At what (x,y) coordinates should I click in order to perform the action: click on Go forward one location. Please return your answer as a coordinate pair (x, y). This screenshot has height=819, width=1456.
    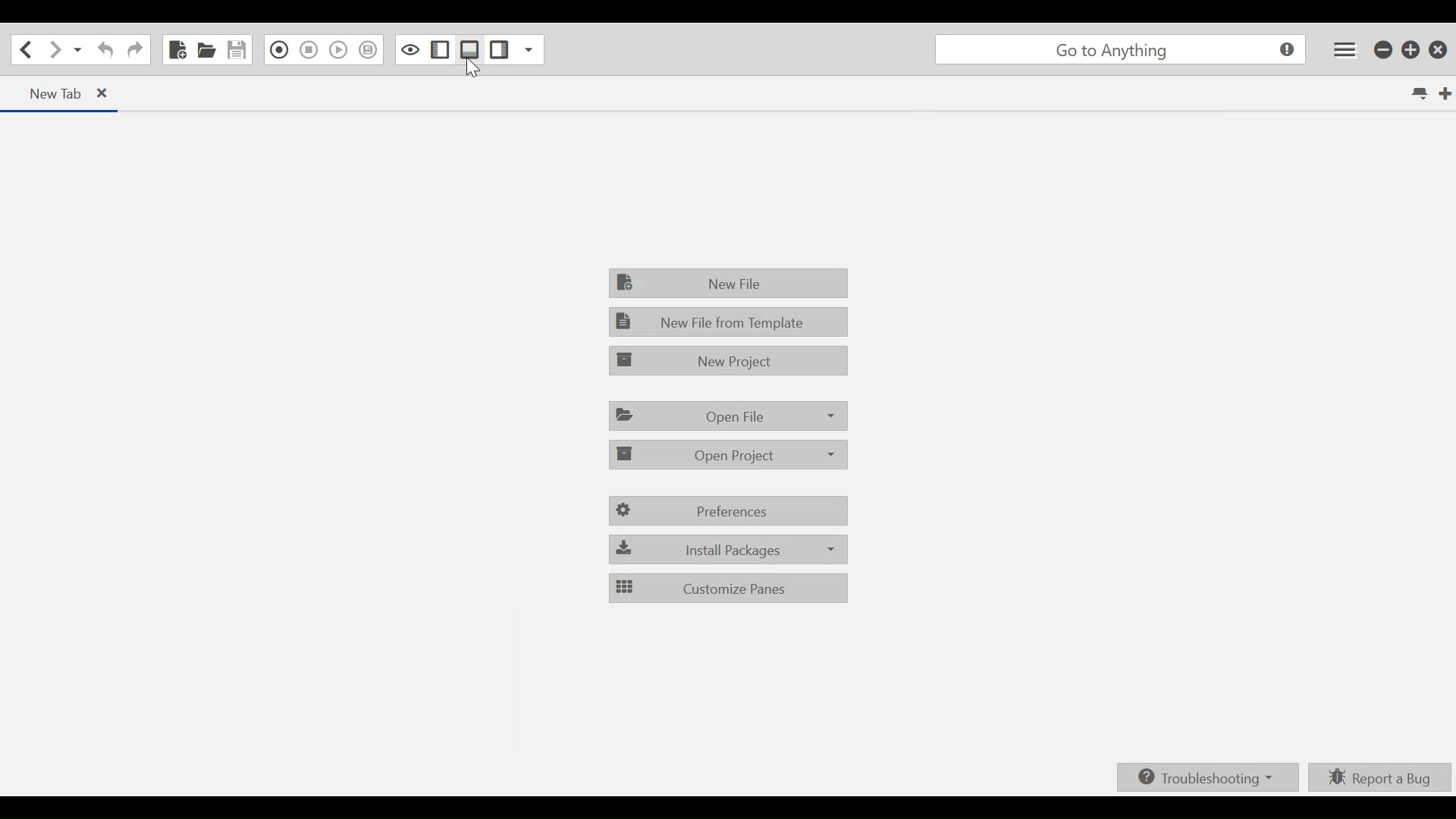
    Looking at the image, I should click on (54, 49).